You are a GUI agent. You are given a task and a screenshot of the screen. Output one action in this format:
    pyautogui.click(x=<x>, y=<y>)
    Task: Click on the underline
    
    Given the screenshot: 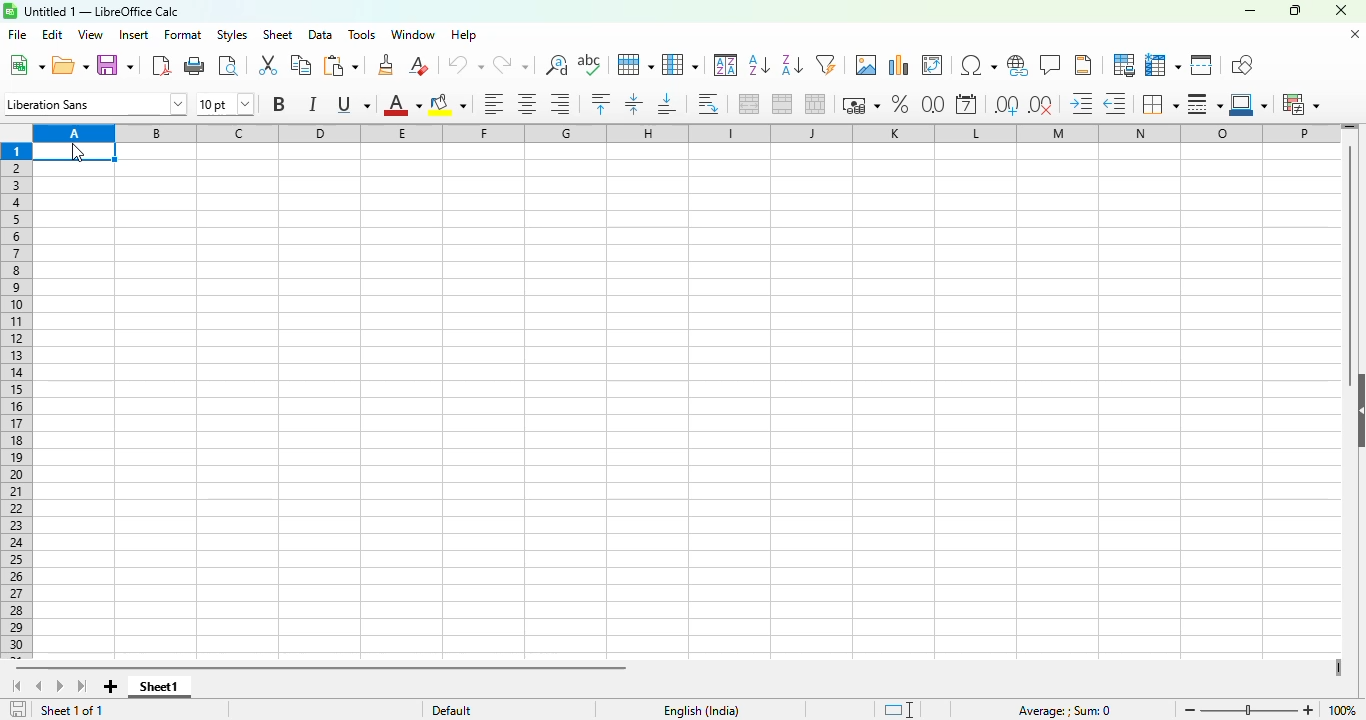 What is the action you would take?
    pyautogui.click(x=353, y=104)
    